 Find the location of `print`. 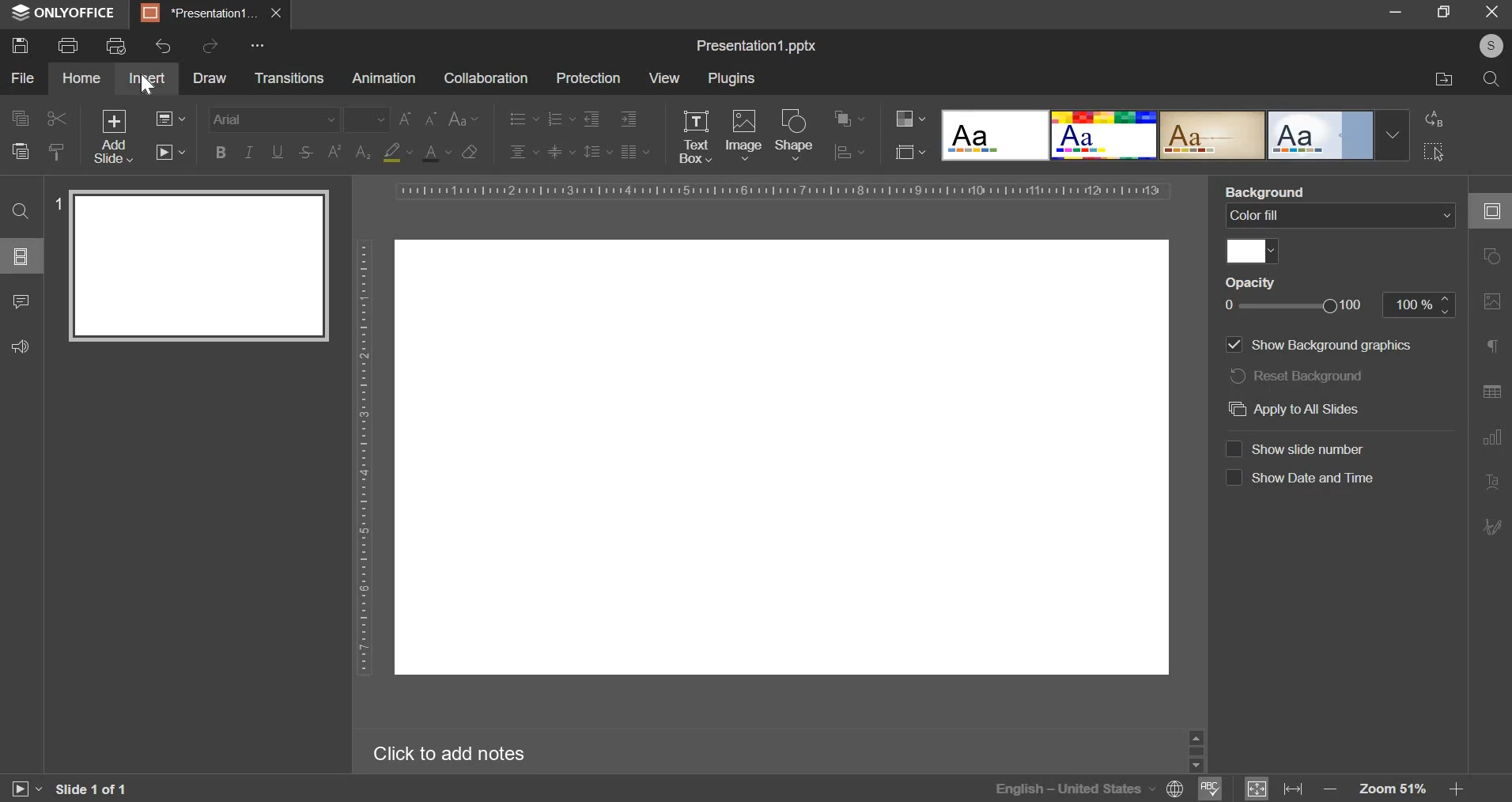

print is located at coordinates (67, 46).